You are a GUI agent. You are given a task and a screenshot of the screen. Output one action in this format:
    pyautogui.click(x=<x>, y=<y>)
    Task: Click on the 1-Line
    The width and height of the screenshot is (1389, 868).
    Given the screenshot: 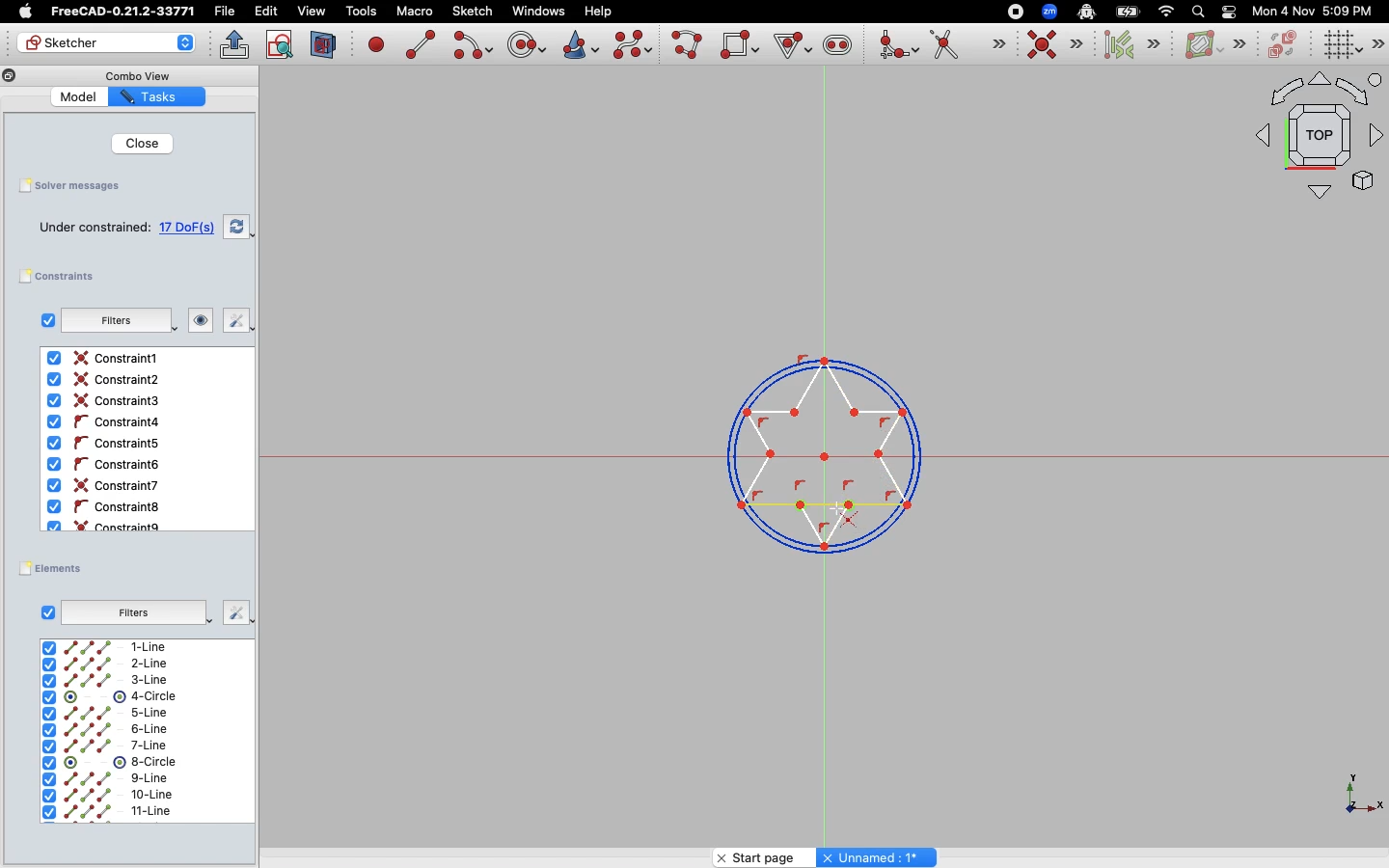 What is the action you would take?
    pyautogui.click(x=114, y=647)
    